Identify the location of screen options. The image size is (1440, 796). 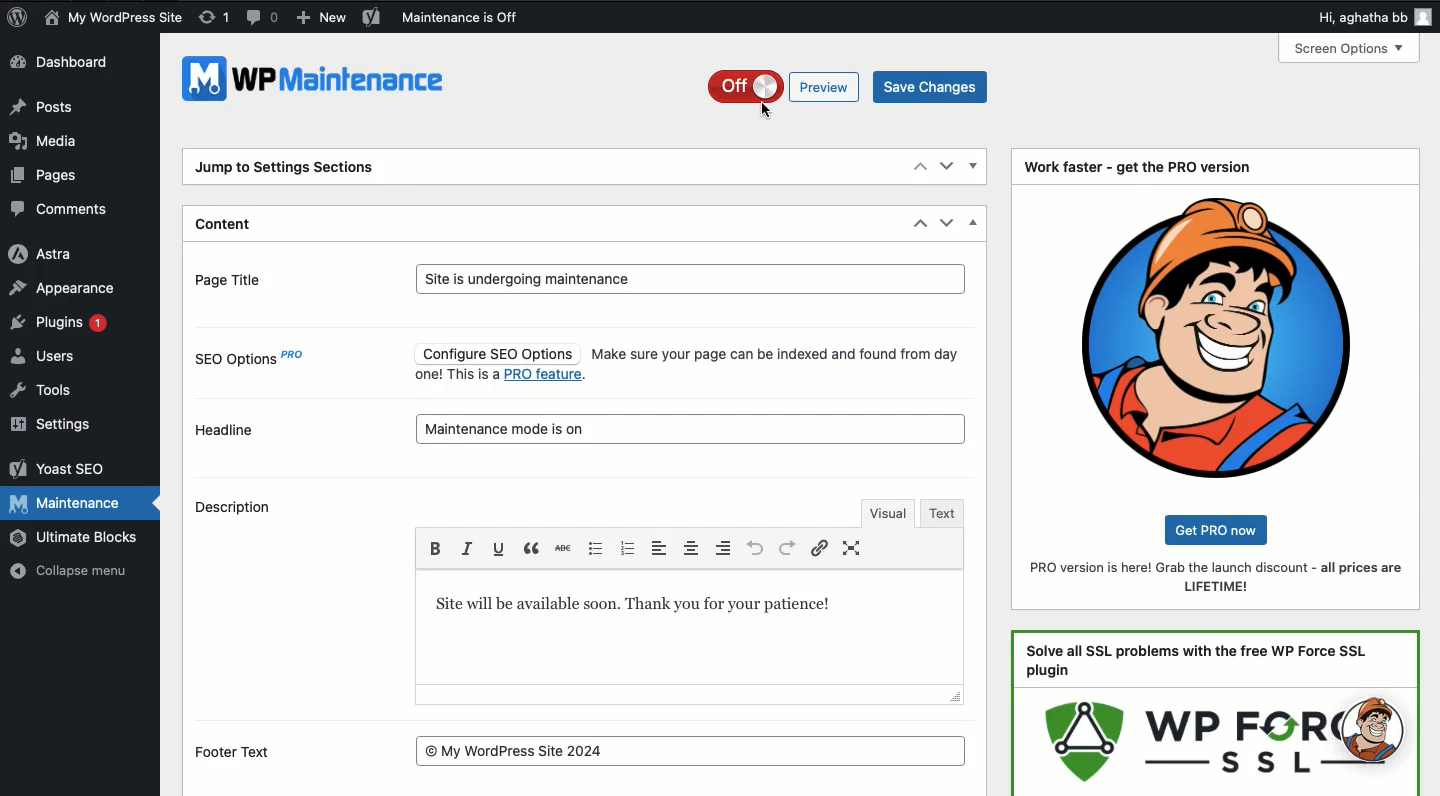
(1347, 48).